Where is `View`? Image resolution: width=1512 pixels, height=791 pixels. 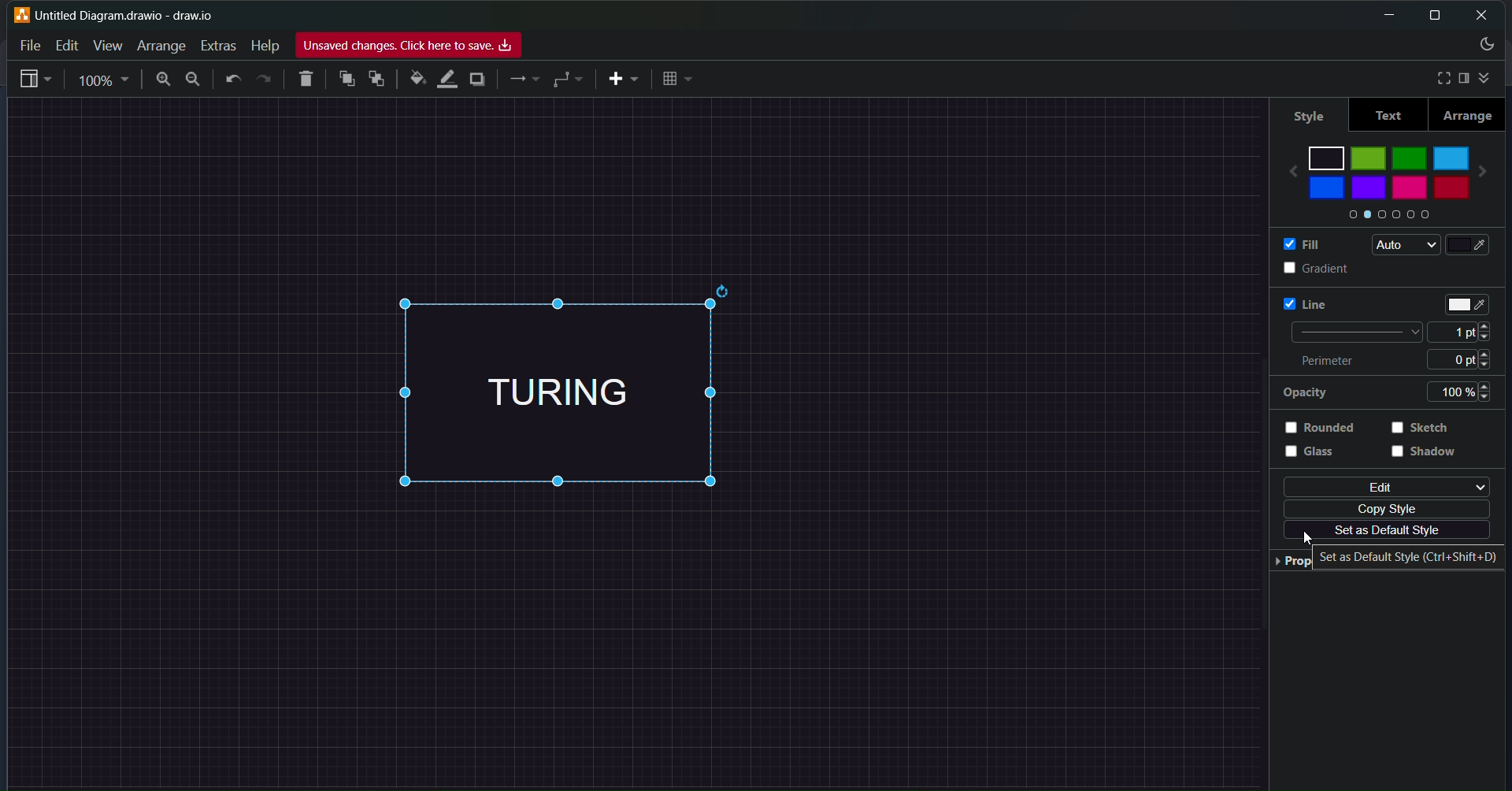 View is located at coordinates (107, 45).